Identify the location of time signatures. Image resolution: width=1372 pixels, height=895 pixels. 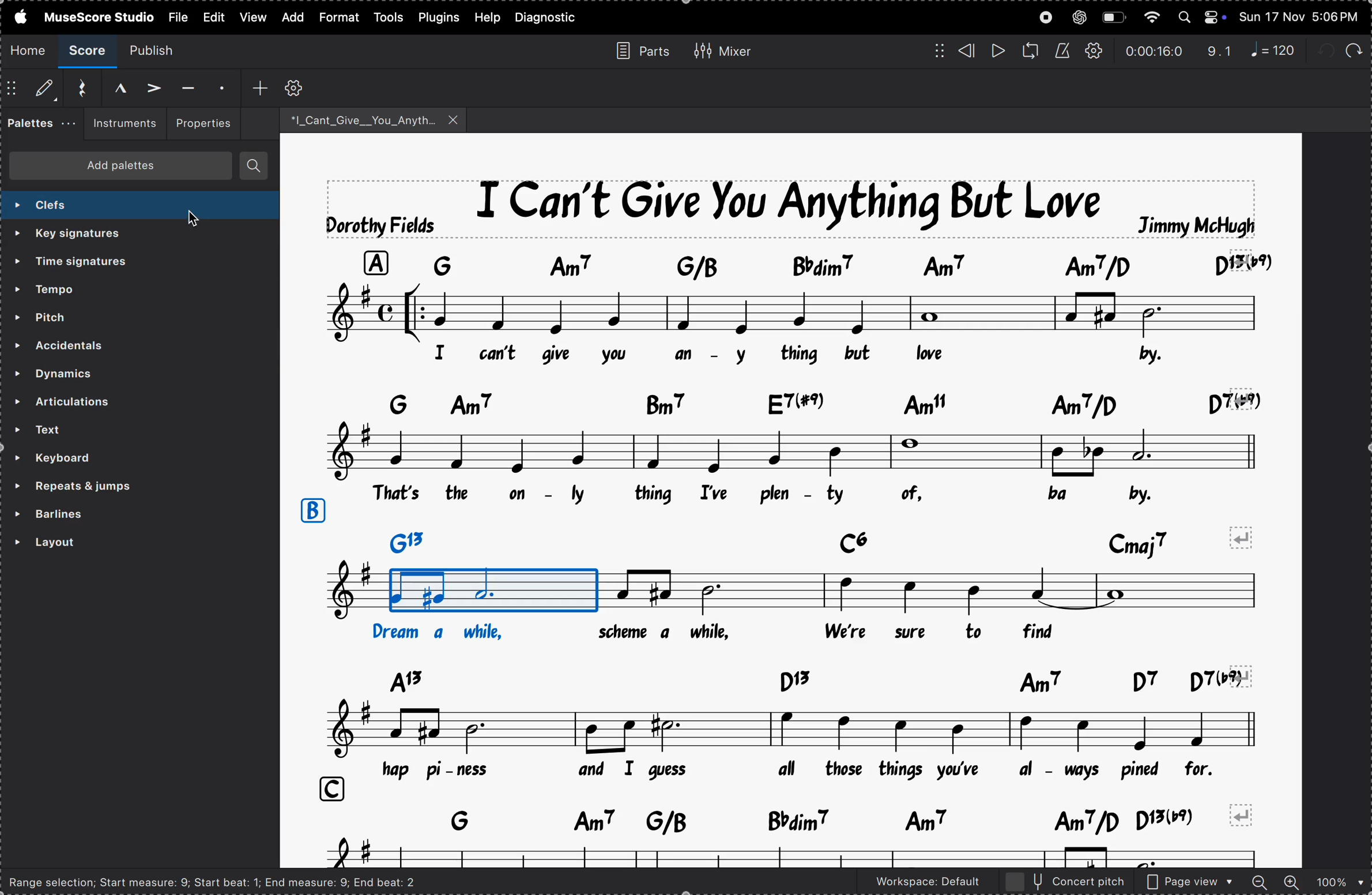
(100, 264).